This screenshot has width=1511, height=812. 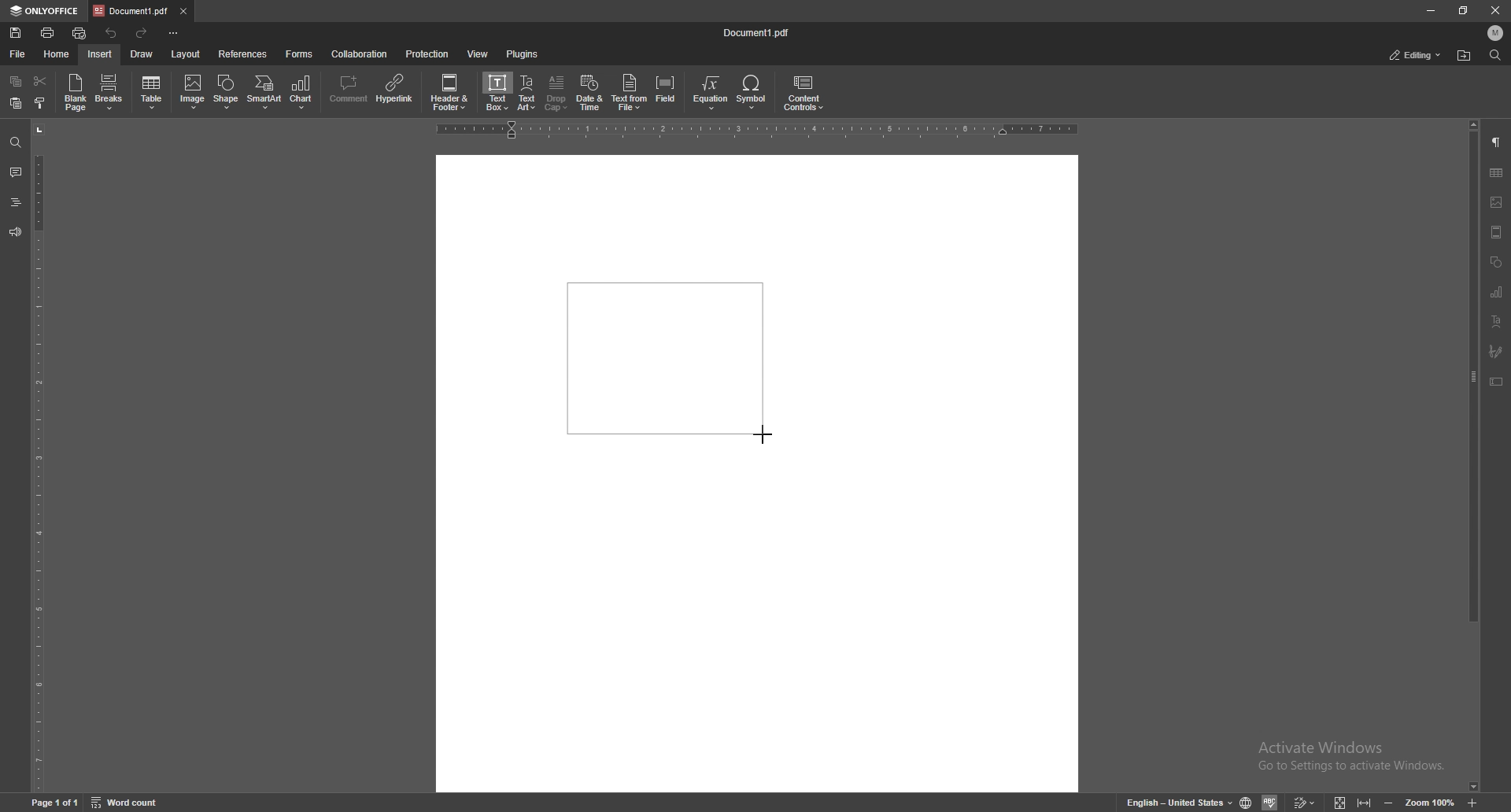 What do you see at coordinates (758, 31) in the screenshot?
I see `file name` at bounding box center [758, 31].